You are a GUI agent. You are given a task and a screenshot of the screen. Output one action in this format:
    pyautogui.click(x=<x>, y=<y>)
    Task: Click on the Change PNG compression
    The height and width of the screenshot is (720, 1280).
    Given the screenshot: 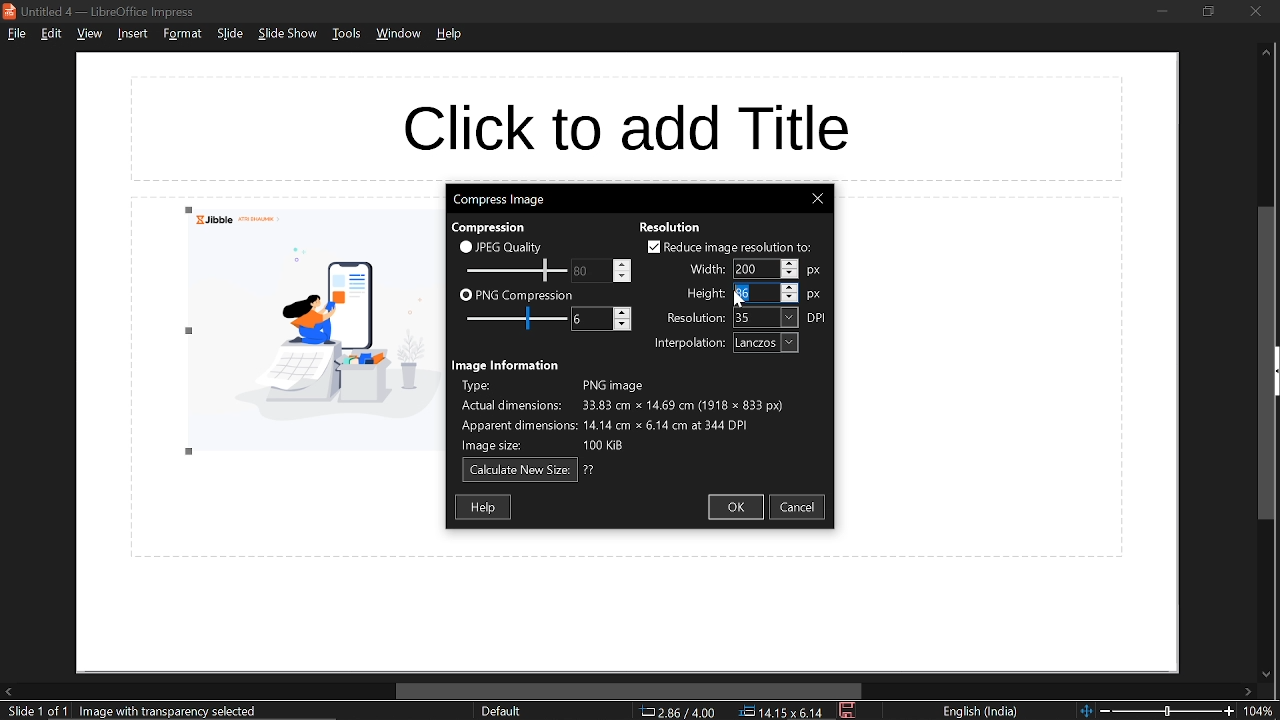 What is the action you would take?
    pyautogui.click(x=591, y=319)
    